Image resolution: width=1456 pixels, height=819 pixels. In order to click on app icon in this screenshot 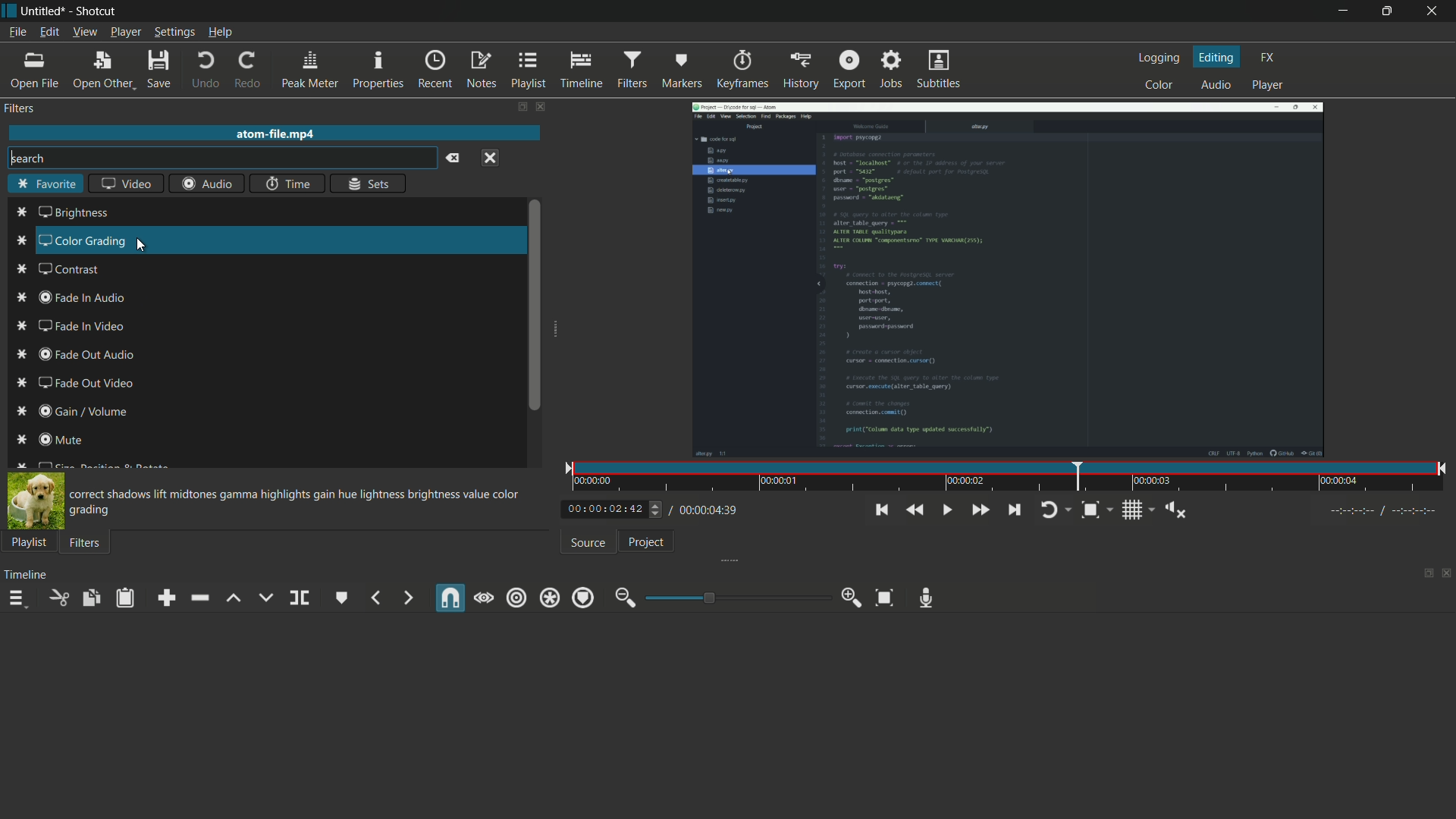, I will do `click(9, 11)`.